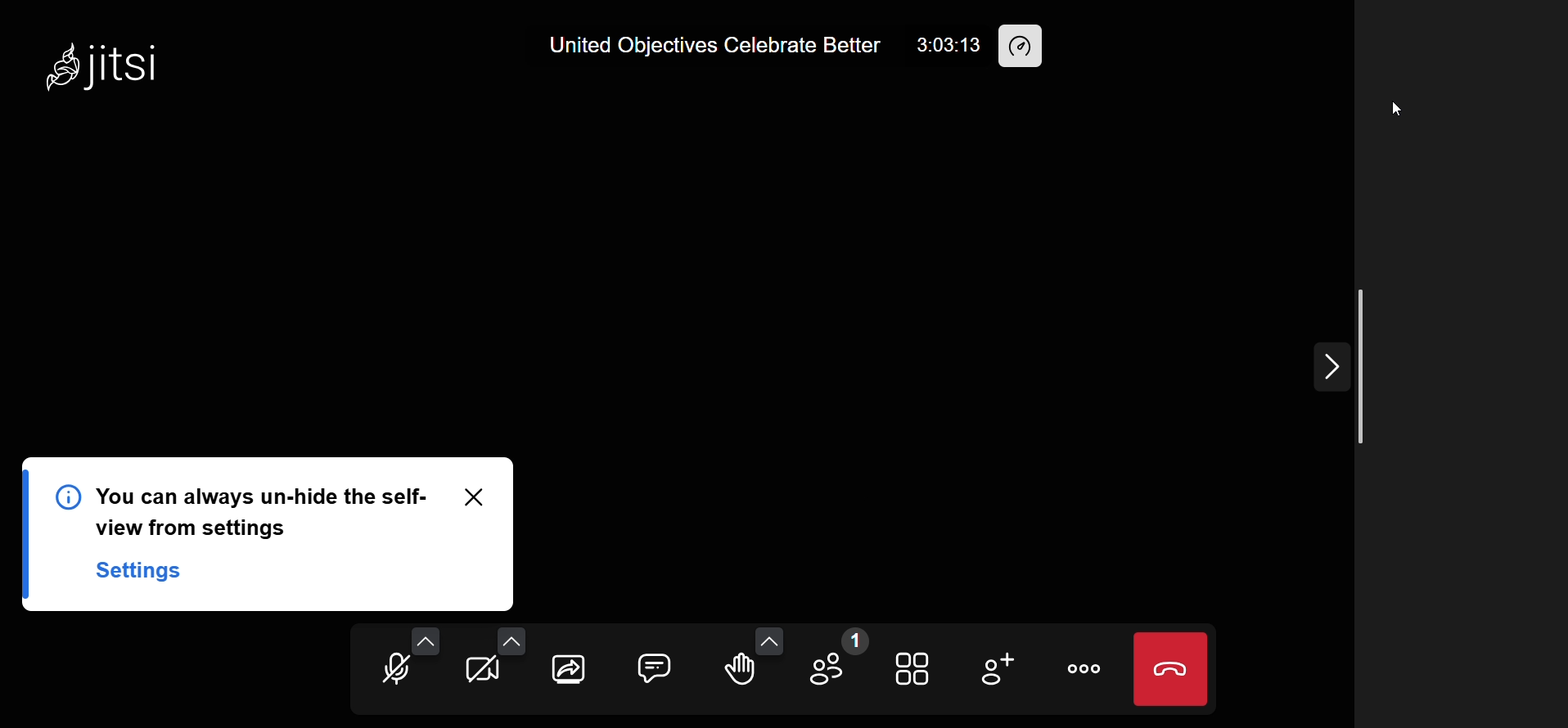  What do you see at coordinates (1328, 367) in the screenshot?
I see `expand/collapse` at bounding box center [1328, 367].